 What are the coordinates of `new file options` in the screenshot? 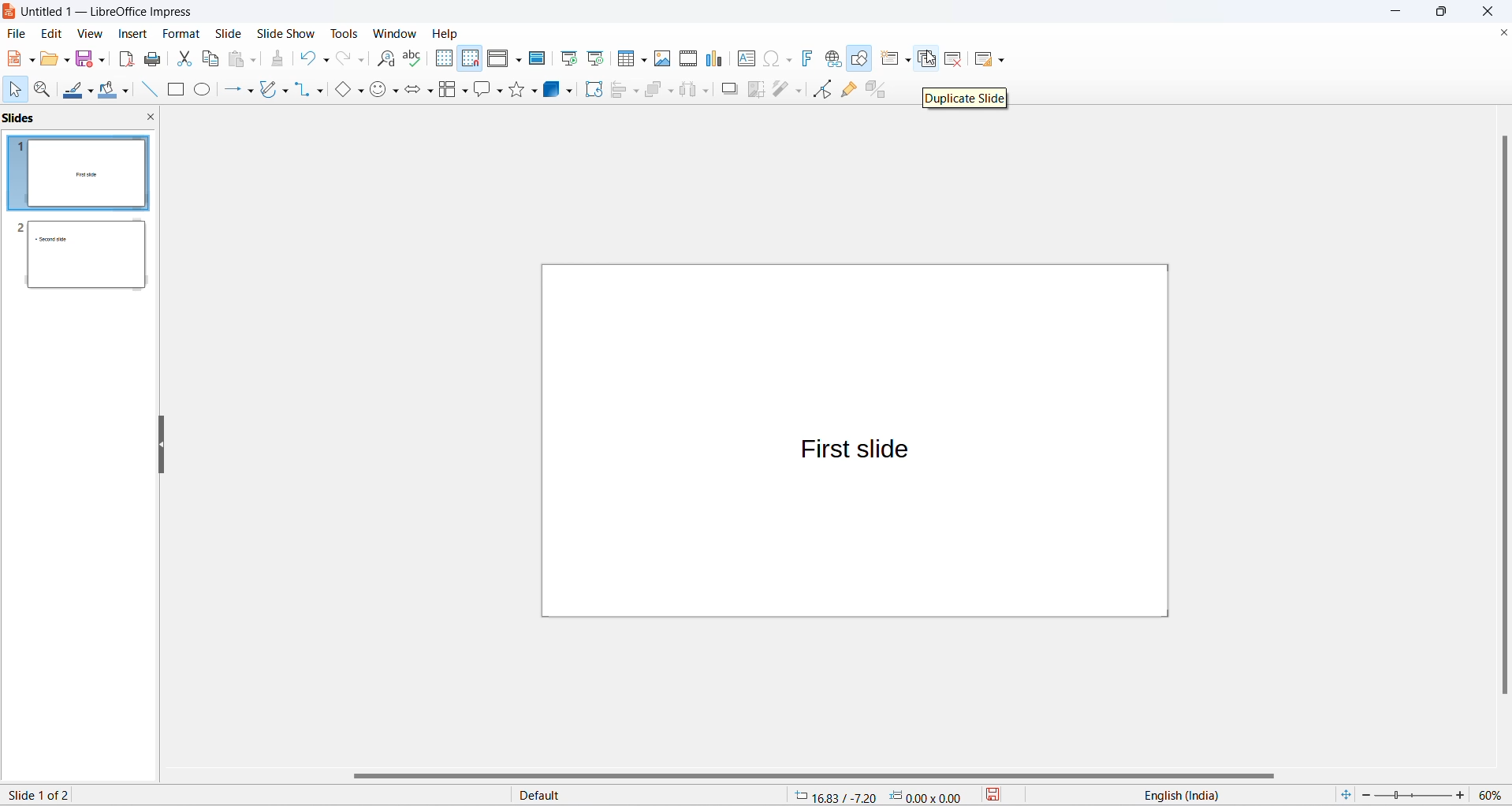 It's located at (31, 61).